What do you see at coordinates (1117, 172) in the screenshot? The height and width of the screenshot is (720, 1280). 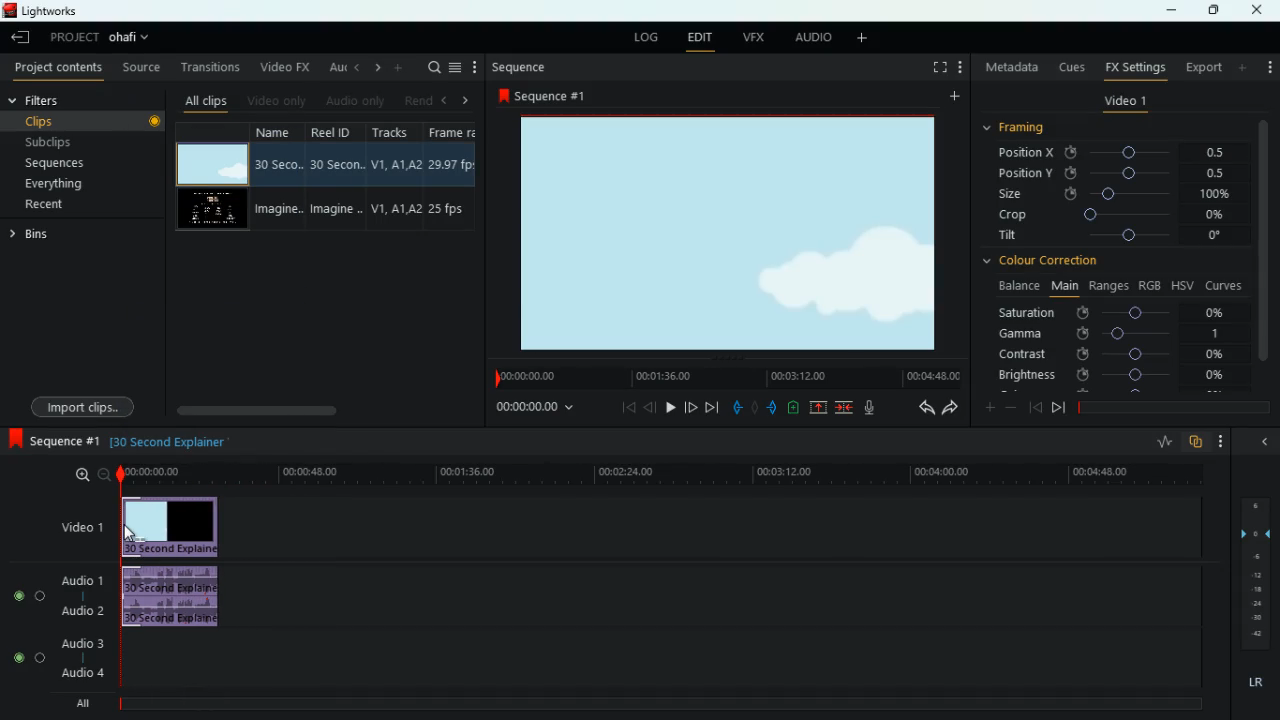 I see `position y` at bounding box center [1117, 172].